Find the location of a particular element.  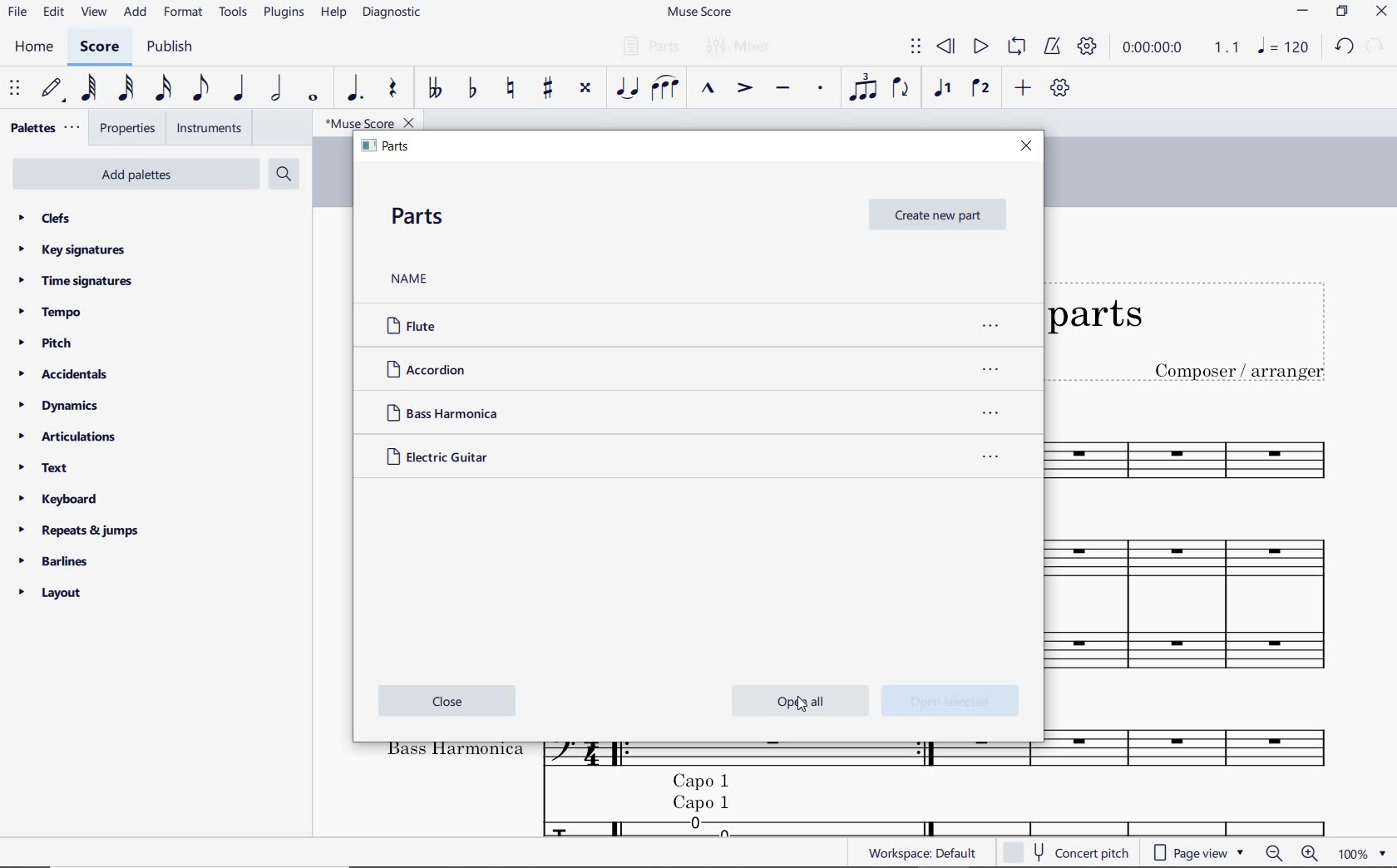

clefs is located at coordinates (38, 217).